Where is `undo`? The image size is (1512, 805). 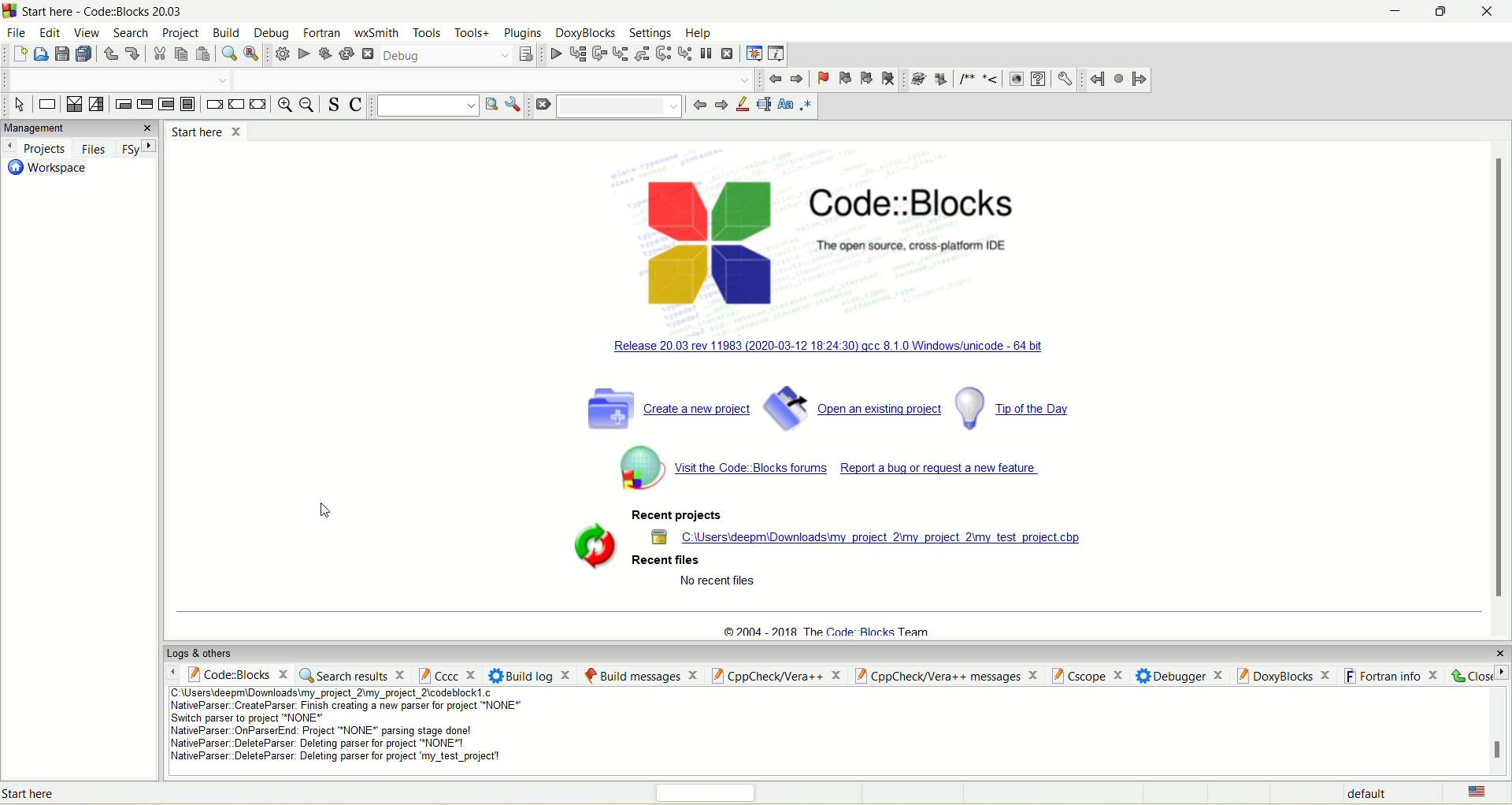
undo is located at coordinates (111, 53).